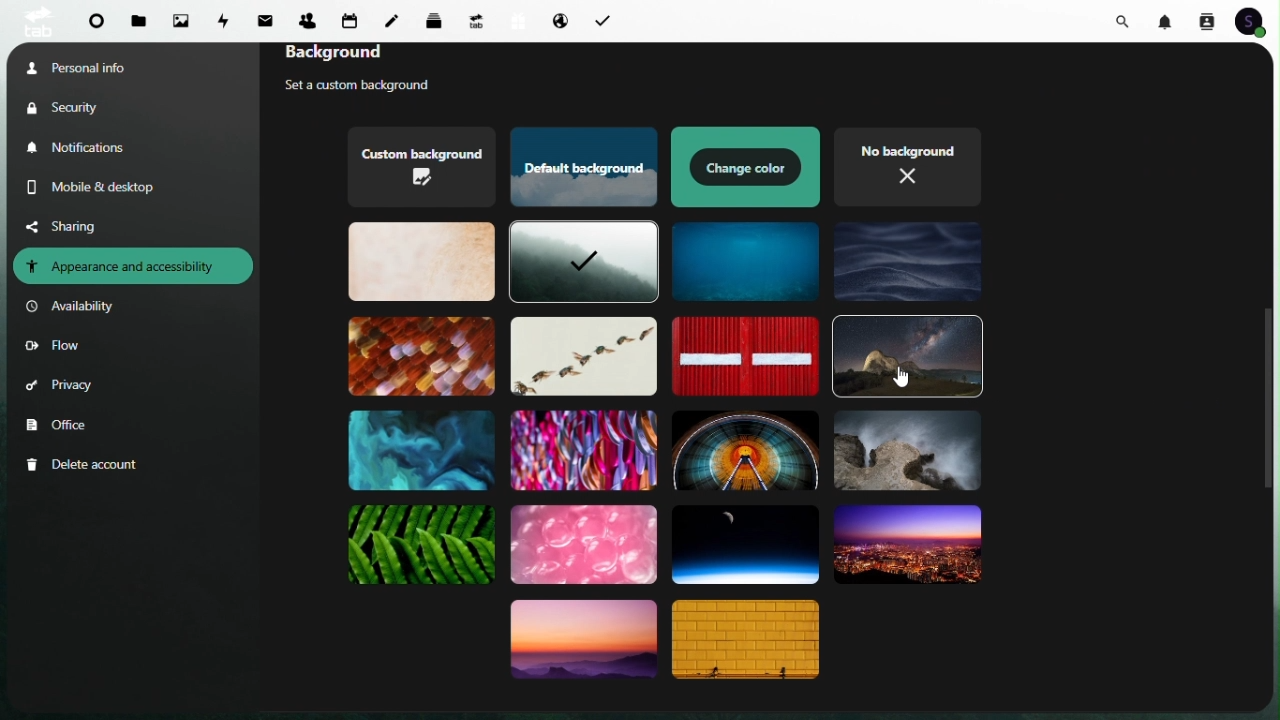  Describe the element at coordinates (133, 266) in the screenshot. I see `Appearance and visibility` at that location.